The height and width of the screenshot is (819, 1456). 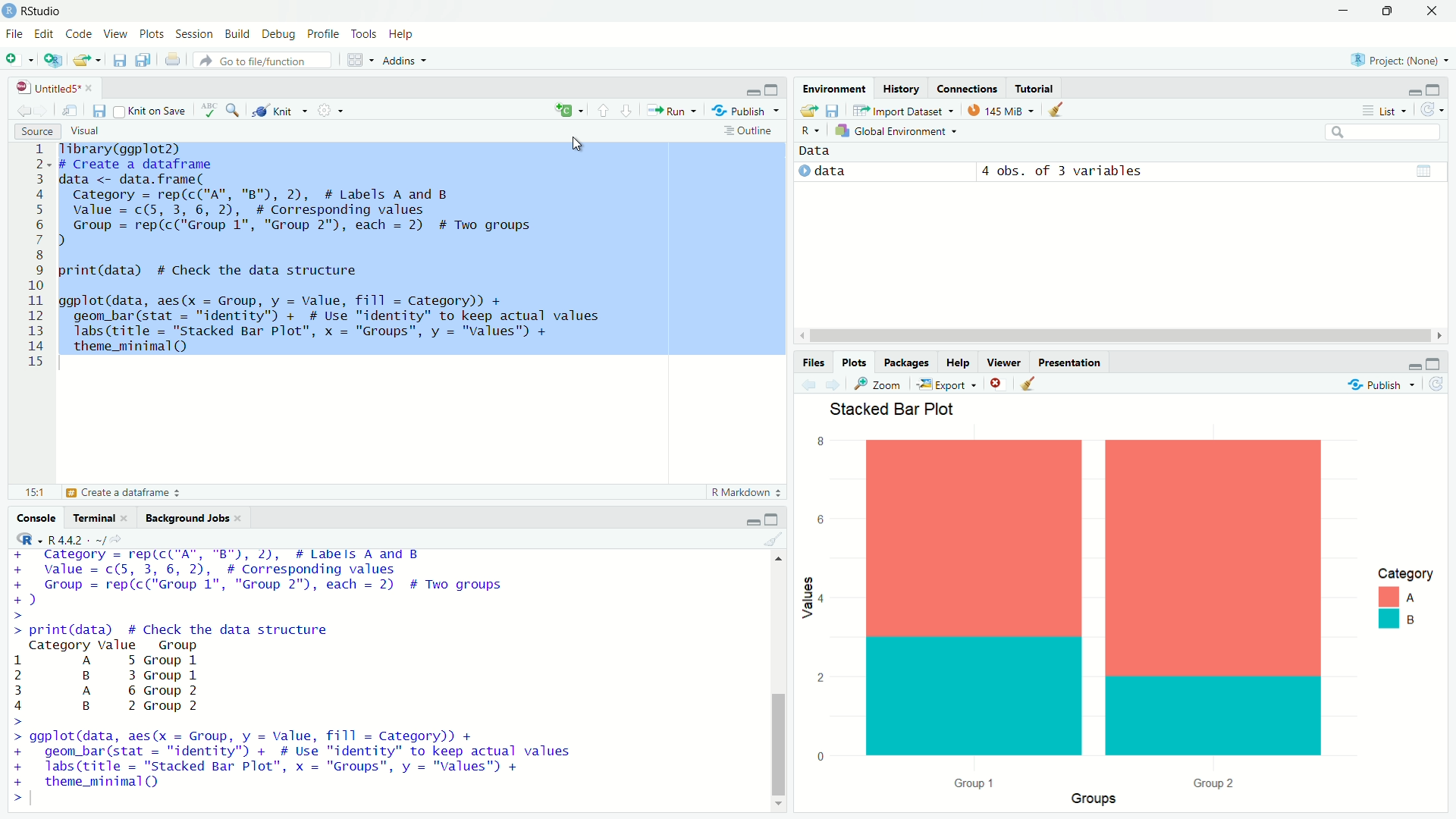 What do you see at coordinates (625, 109) in the screenshot?
I see `Go to next section/chunk (Ctrl + pgDn)` at bounding box center [625, 109].